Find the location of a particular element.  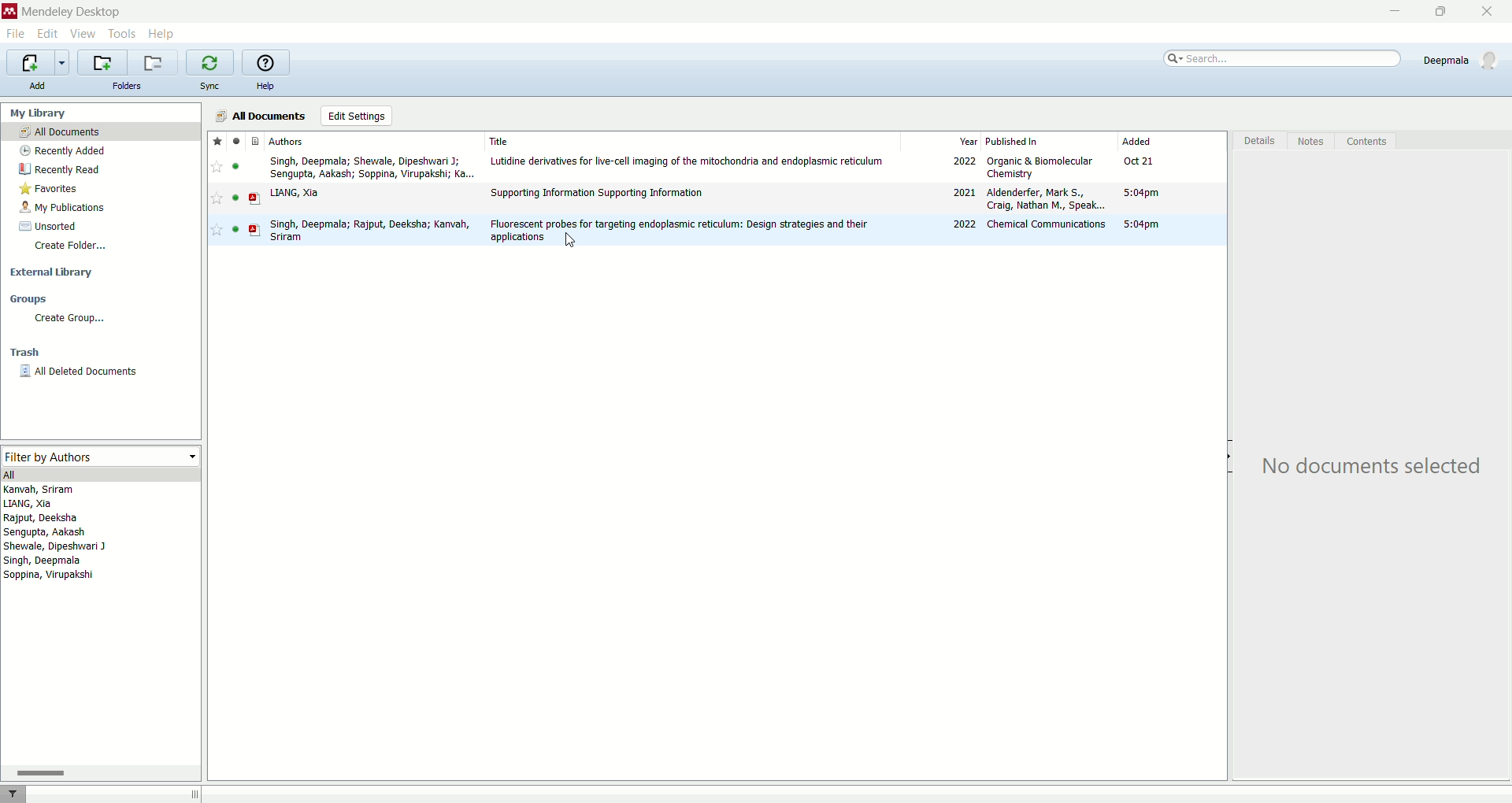

Aldenderfer, Mark S, Craig, Nathan M, Speak is located at coordinates (1044, 200).